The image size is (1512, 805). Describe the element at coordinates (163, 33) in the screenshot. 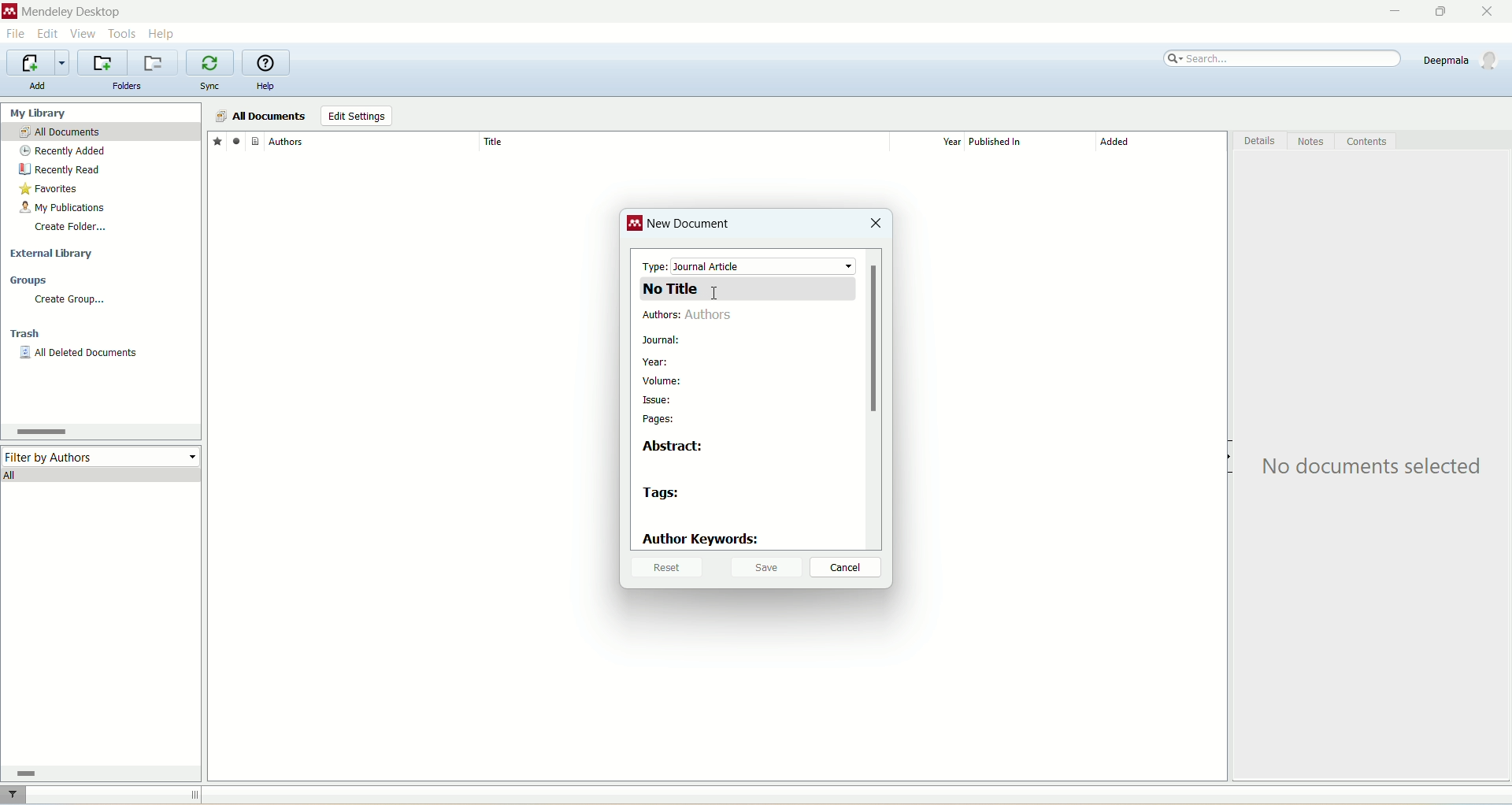

I see `help` at that location.